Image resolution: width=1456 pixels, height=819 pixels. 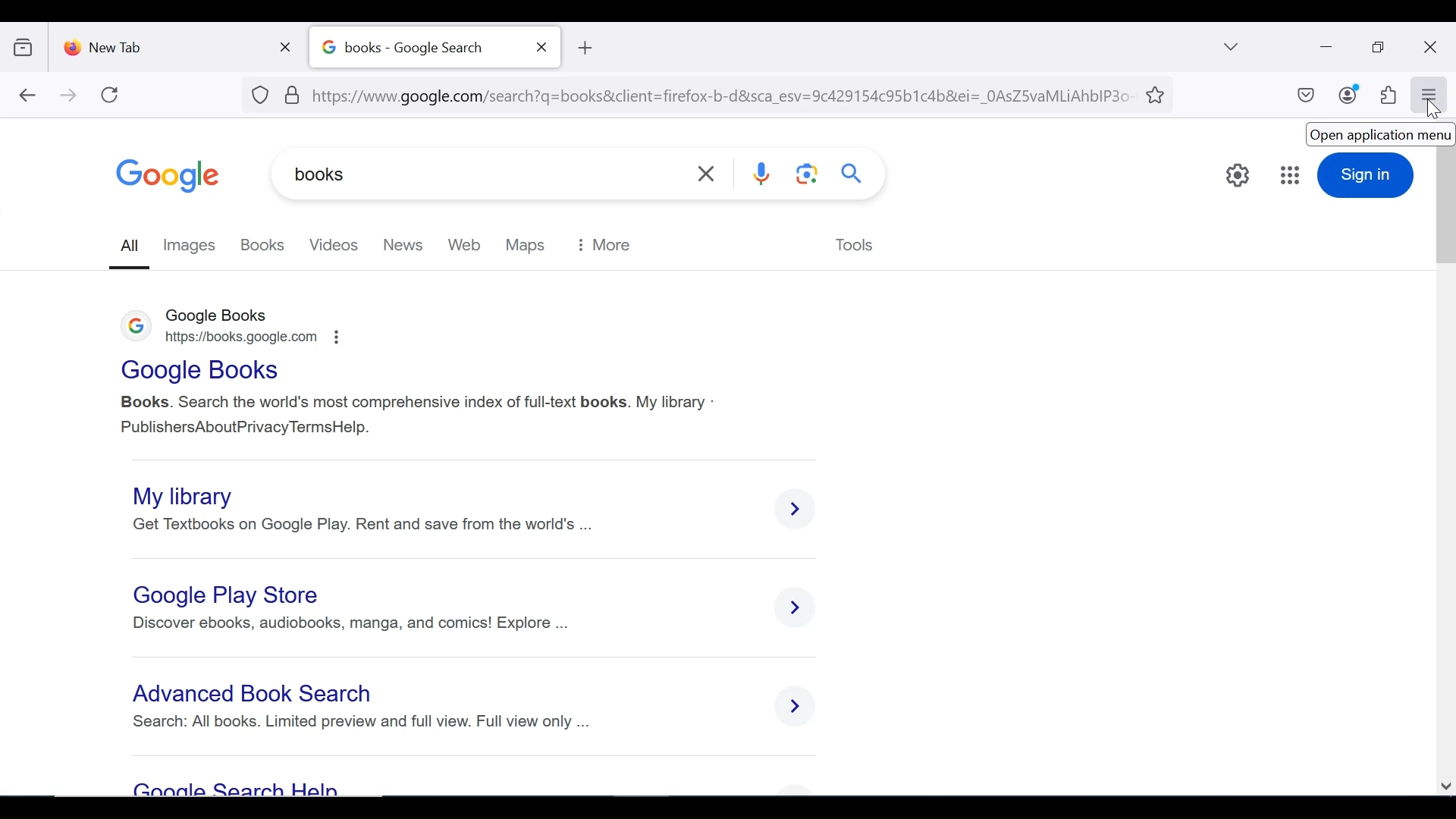 What do you see at coordinates (193, 244) in the screenshot?
I see `images` at bounding box center [193, 244].